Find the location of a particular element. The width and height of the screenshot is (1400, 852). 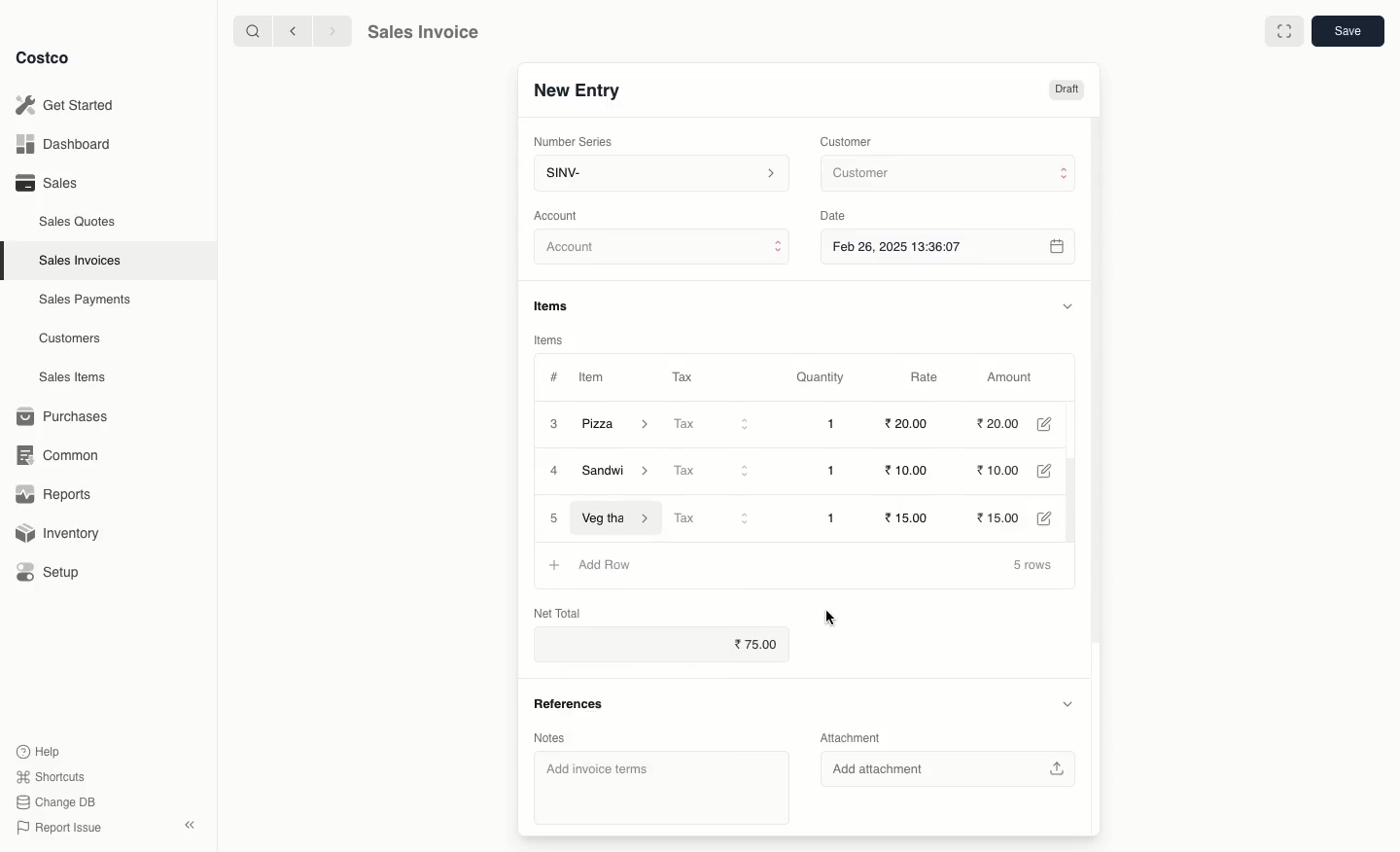

Pizza is located at coordinates (617, 424).